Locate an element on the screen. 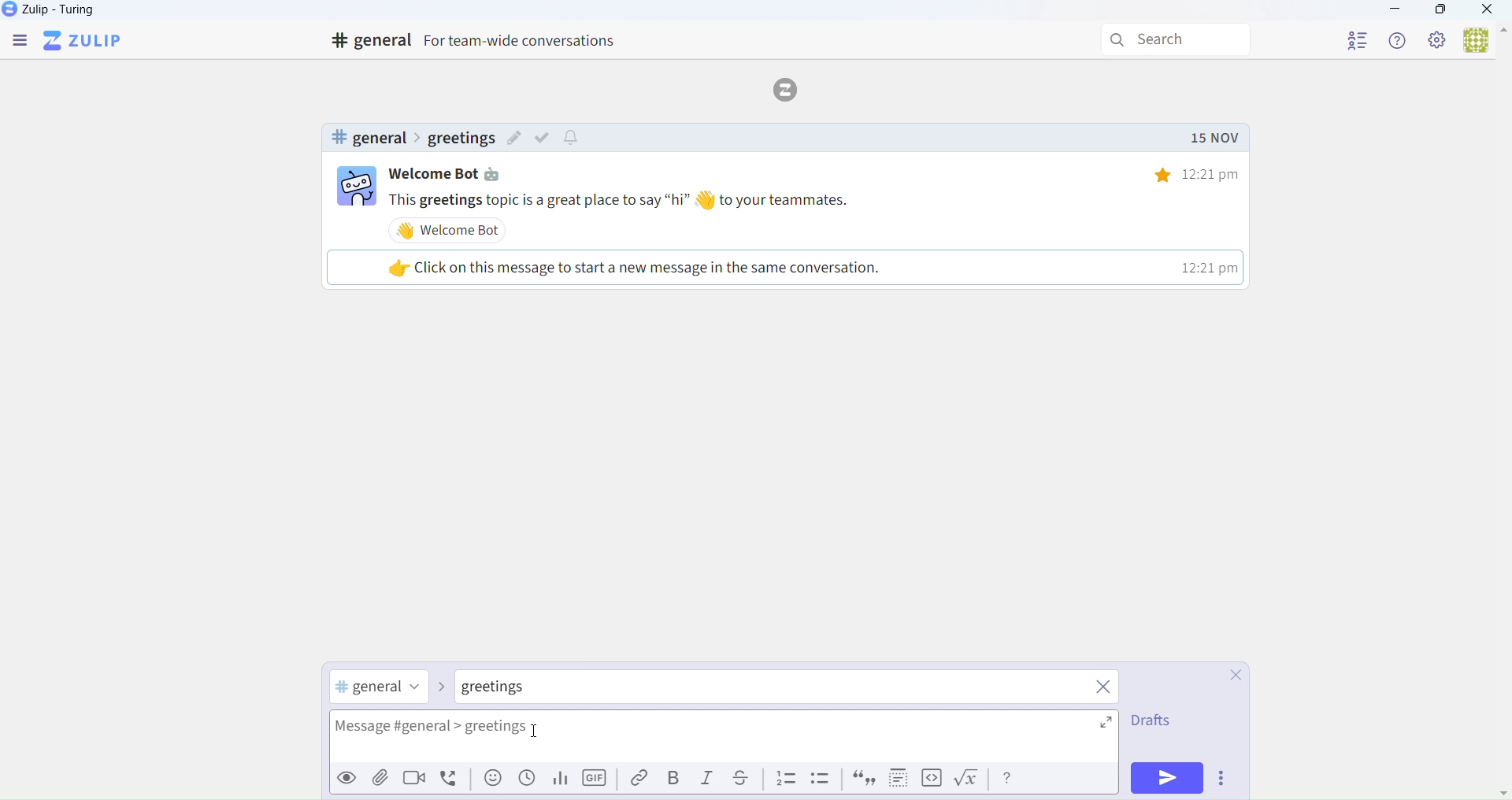 Image resolution: width=1512 pixels, height=800 pixels. Help is located at coordinates (1399, 40).